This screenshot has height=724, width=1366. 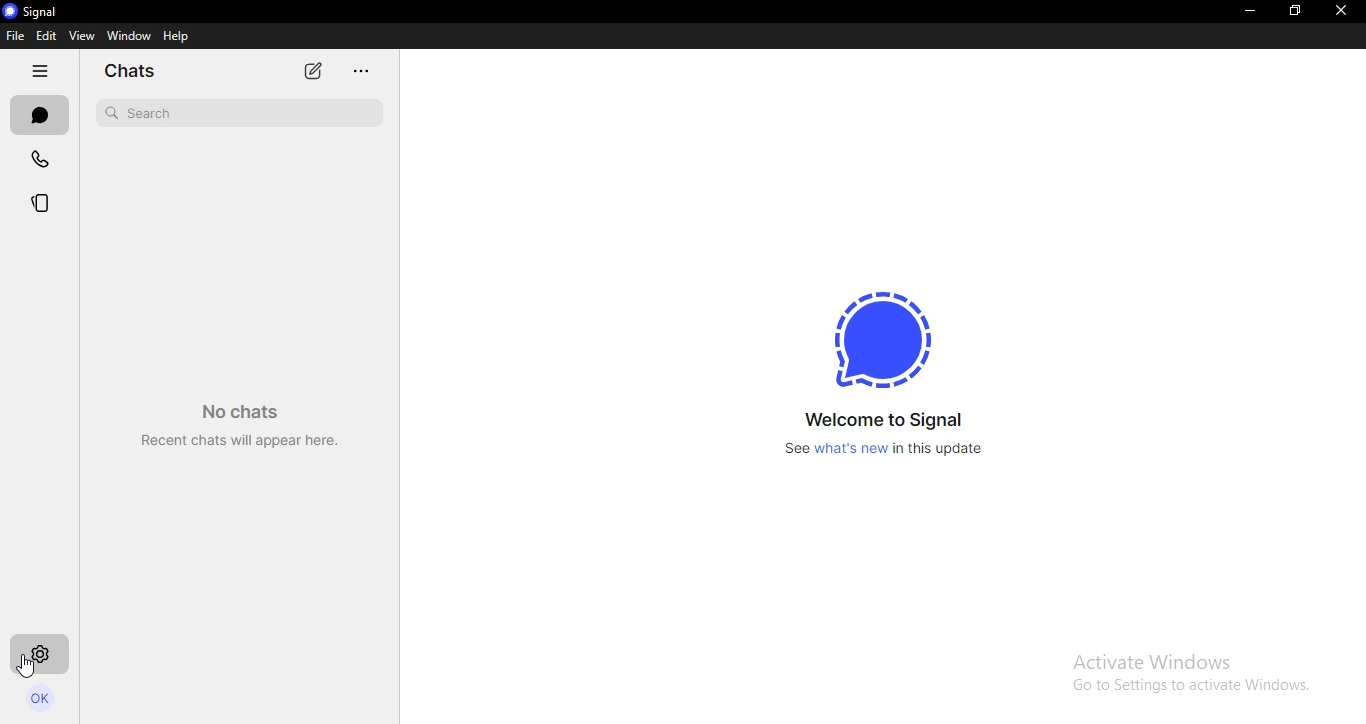 What do you see at coordinates (1290, 14) in the screenshot?
I see `restore down` at bounding box center [1290, 14].